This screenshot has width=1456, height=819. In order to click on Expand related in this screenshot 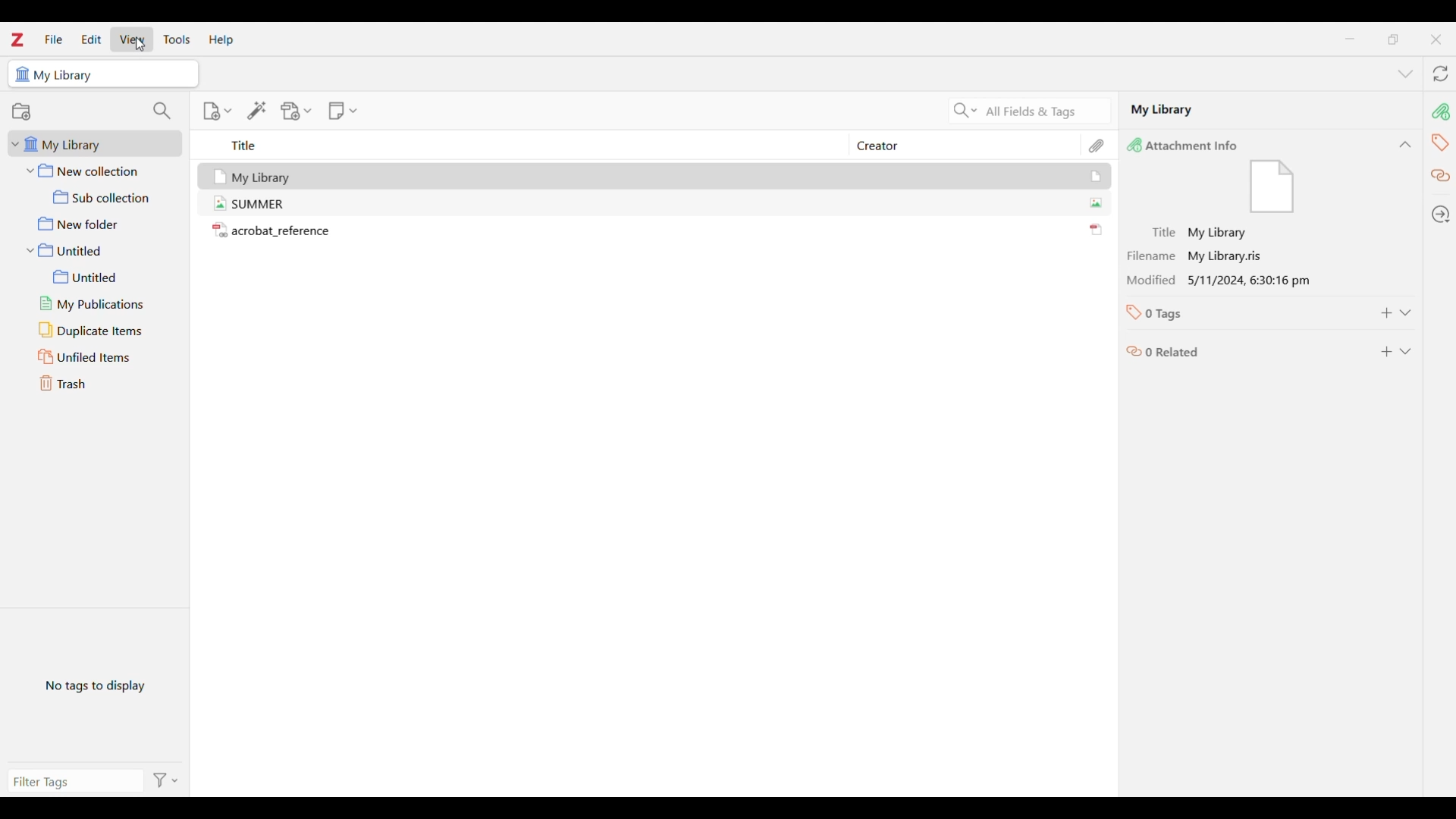, I will do `click(1404, 351)`.